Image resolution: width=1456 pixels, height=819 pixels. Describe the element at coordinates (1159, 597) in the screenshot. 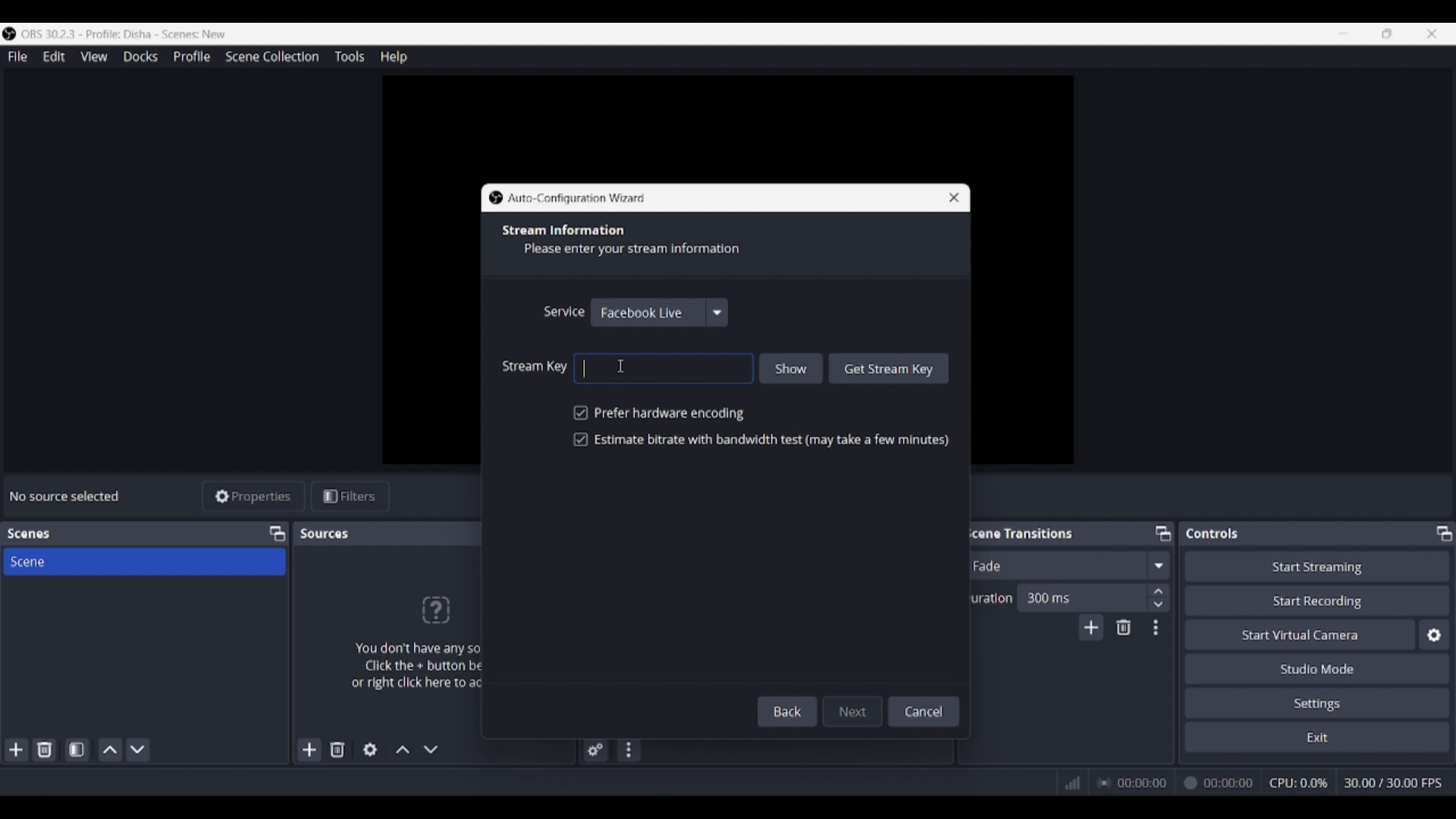

I see `Increase/Decrease duration` at that location.